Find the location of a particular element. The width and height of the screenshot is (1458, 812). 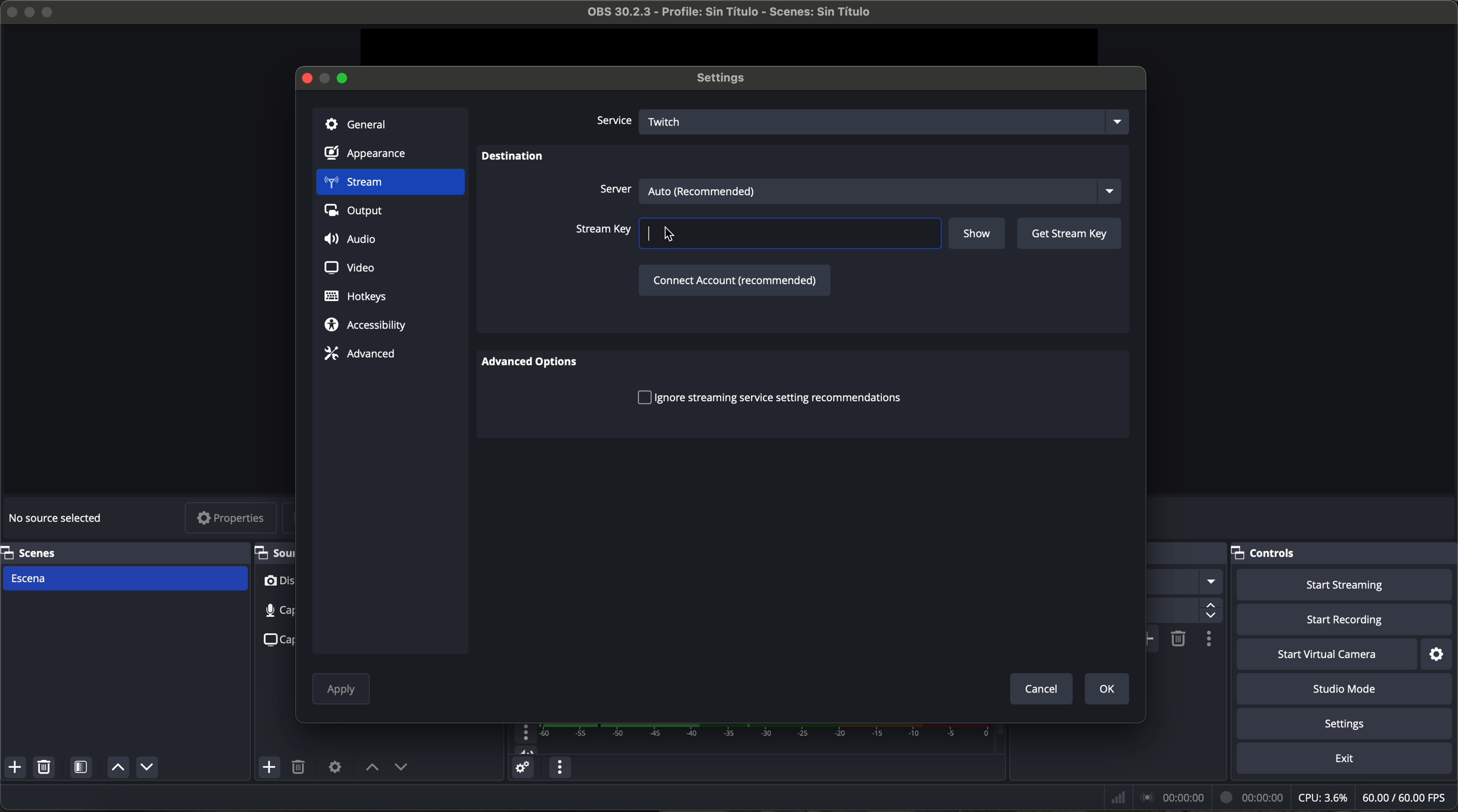

close window is located at coordinates (307, 77).